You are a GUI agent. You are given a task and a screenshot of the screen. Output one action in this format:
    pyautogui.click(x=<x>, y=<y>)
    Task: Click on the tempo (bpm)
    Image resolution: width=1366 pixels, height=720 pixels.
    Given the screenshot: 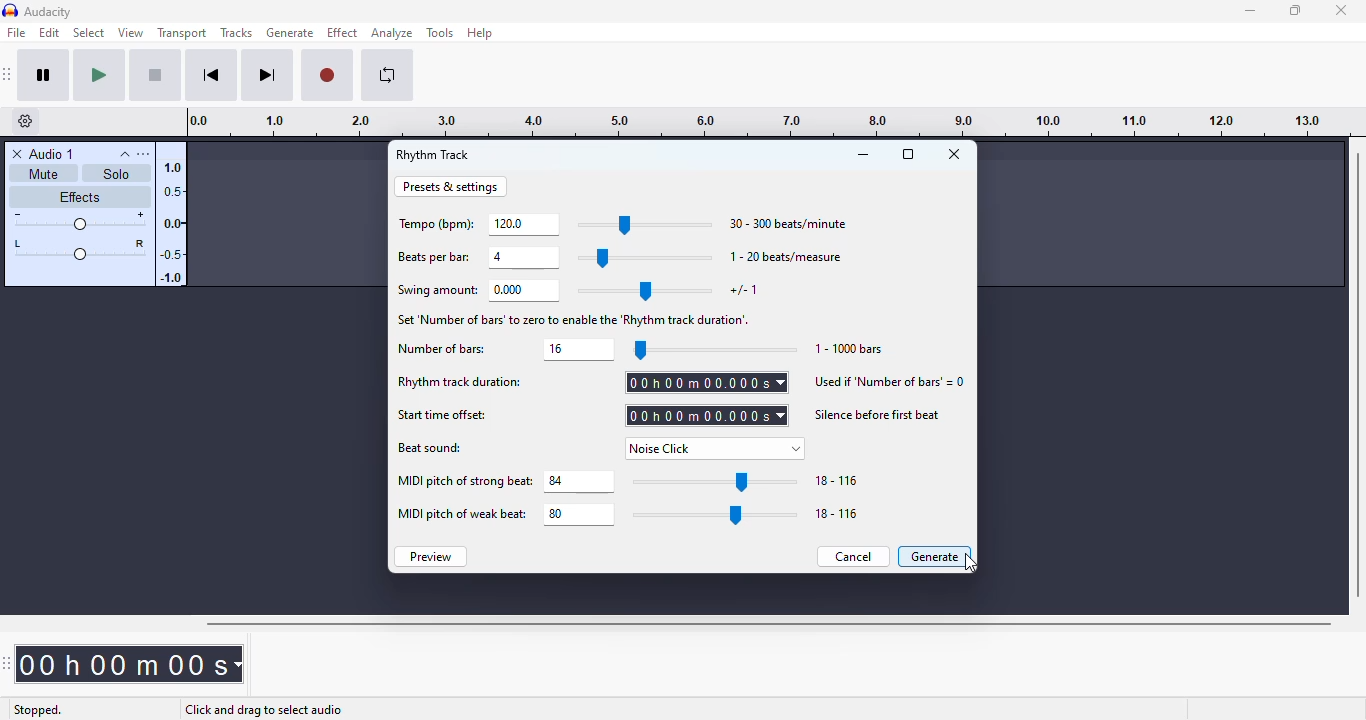 What is the action you would take?
    pyautogui.click(x=437, y=225)
    